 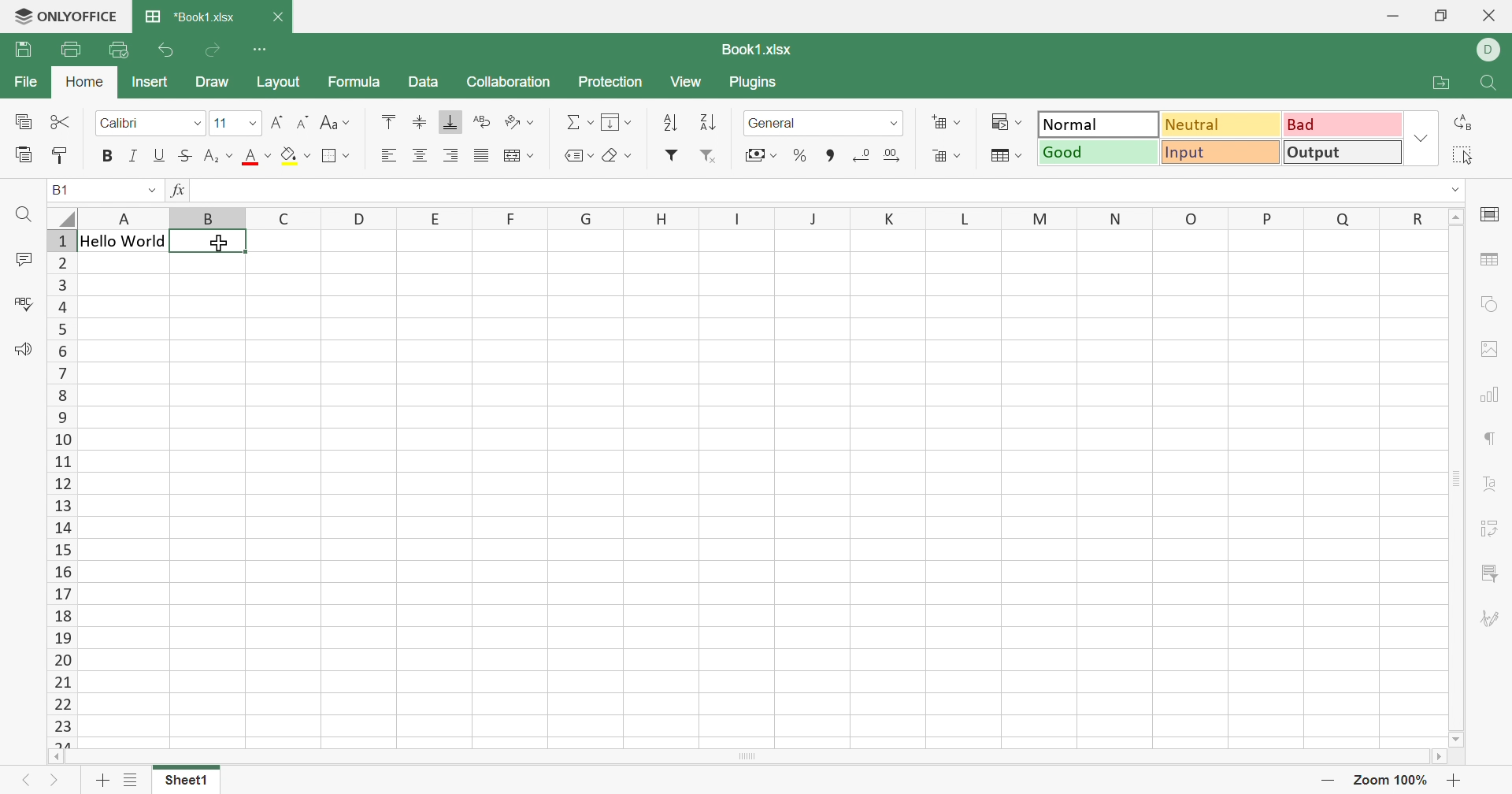 What do you see at coordinates (1494, 348) in the screenshot?
I see `Image settings` at bounding box center [1494, 348].